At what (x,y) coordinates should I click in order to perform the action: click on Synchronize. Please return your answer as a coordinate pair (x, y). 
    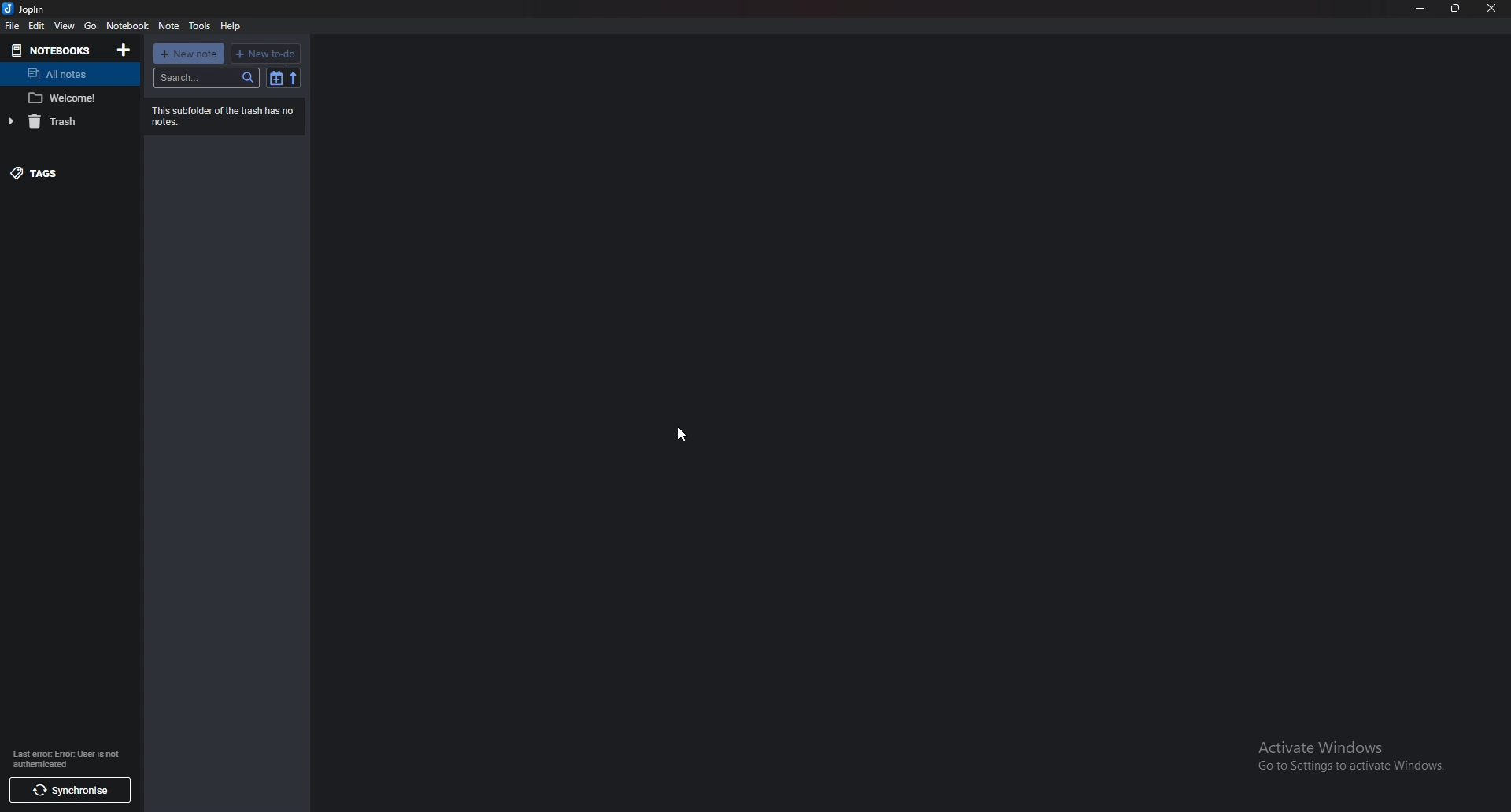
    Looking at the image, I should click on (67, 788).